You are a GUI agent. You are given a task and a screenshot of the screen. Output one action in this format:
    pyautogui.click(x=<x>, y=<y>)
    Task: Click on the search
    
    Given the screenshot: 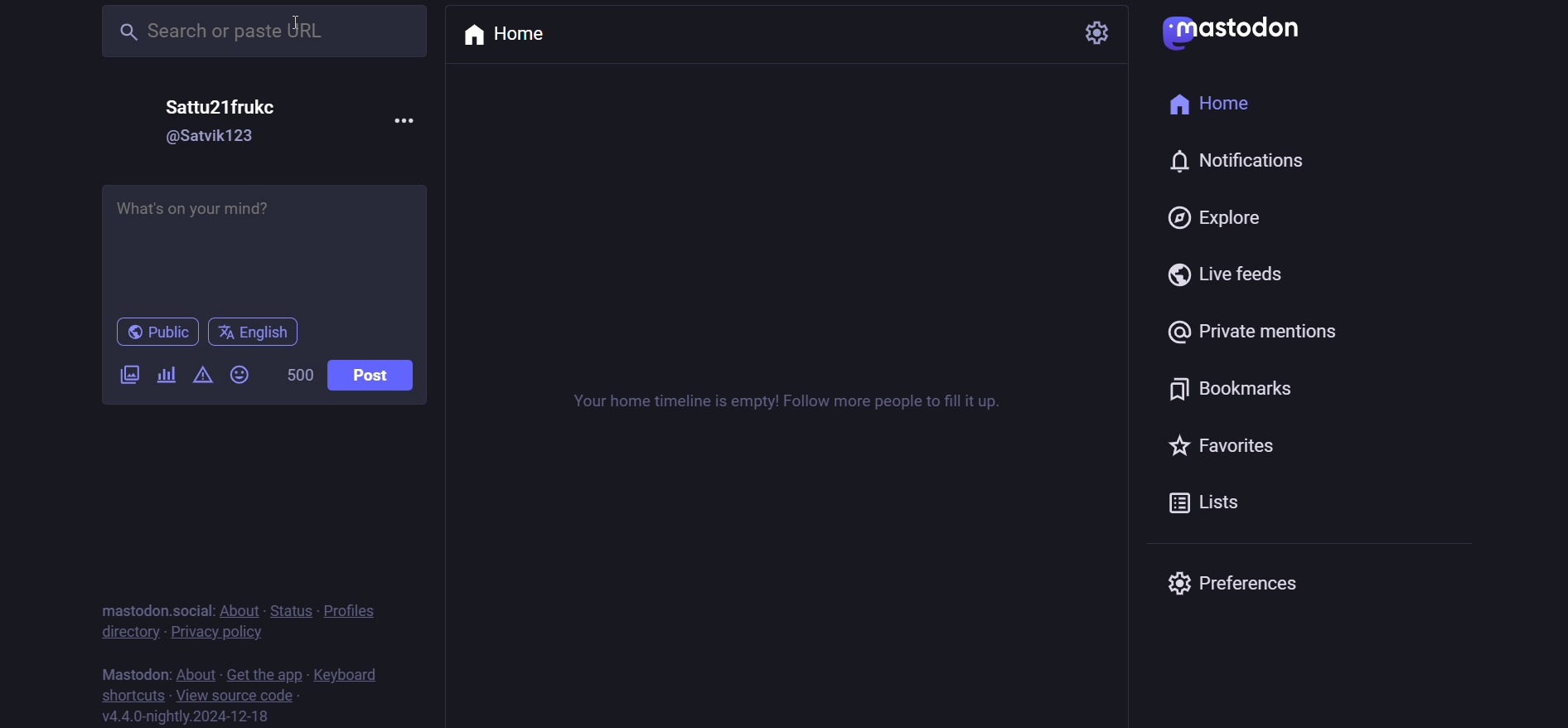 What is the action you would take?
    pyautogui.click(x=259, y=33)
    